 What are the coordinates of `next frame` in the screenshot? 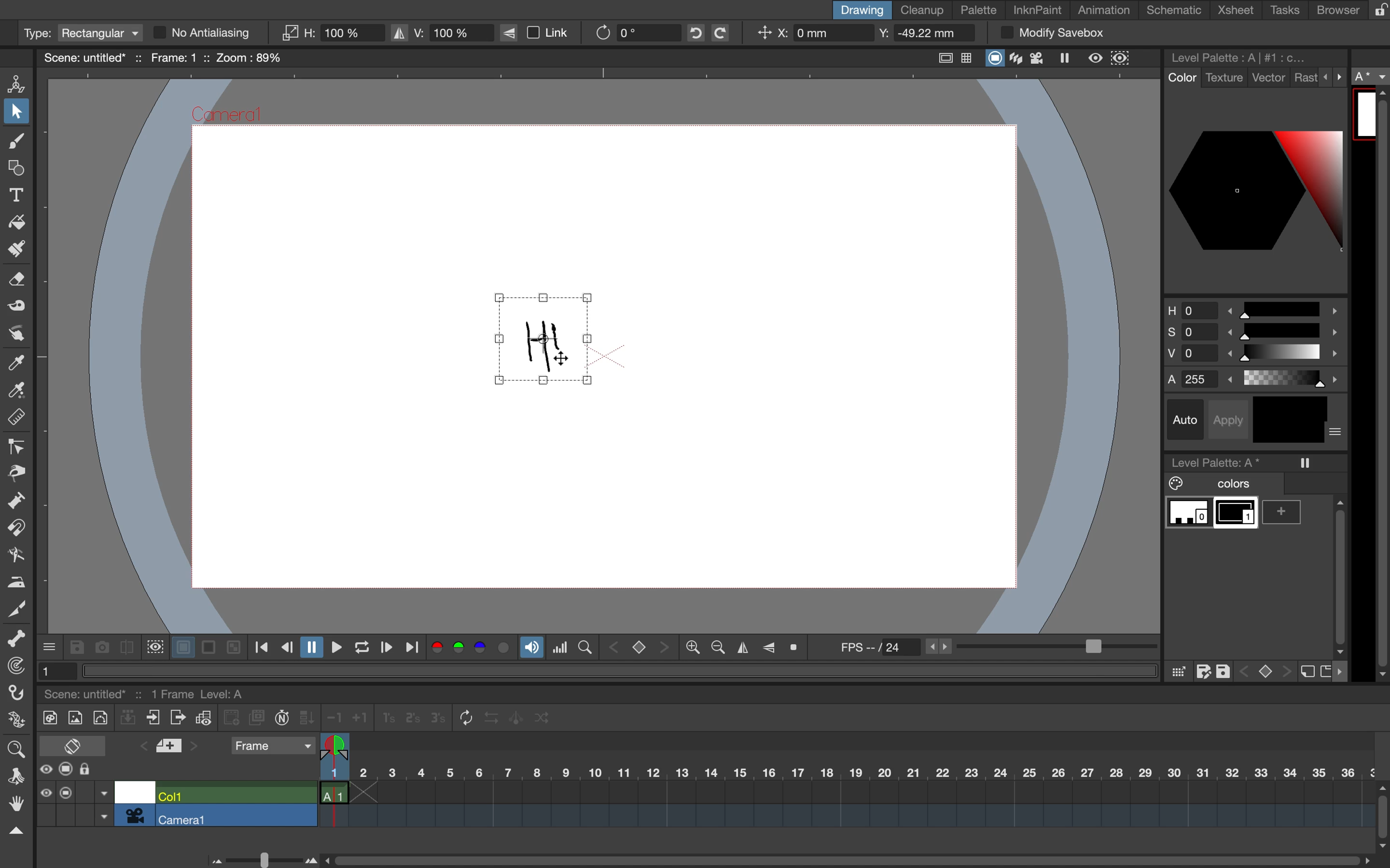 It's located at (385, 649).